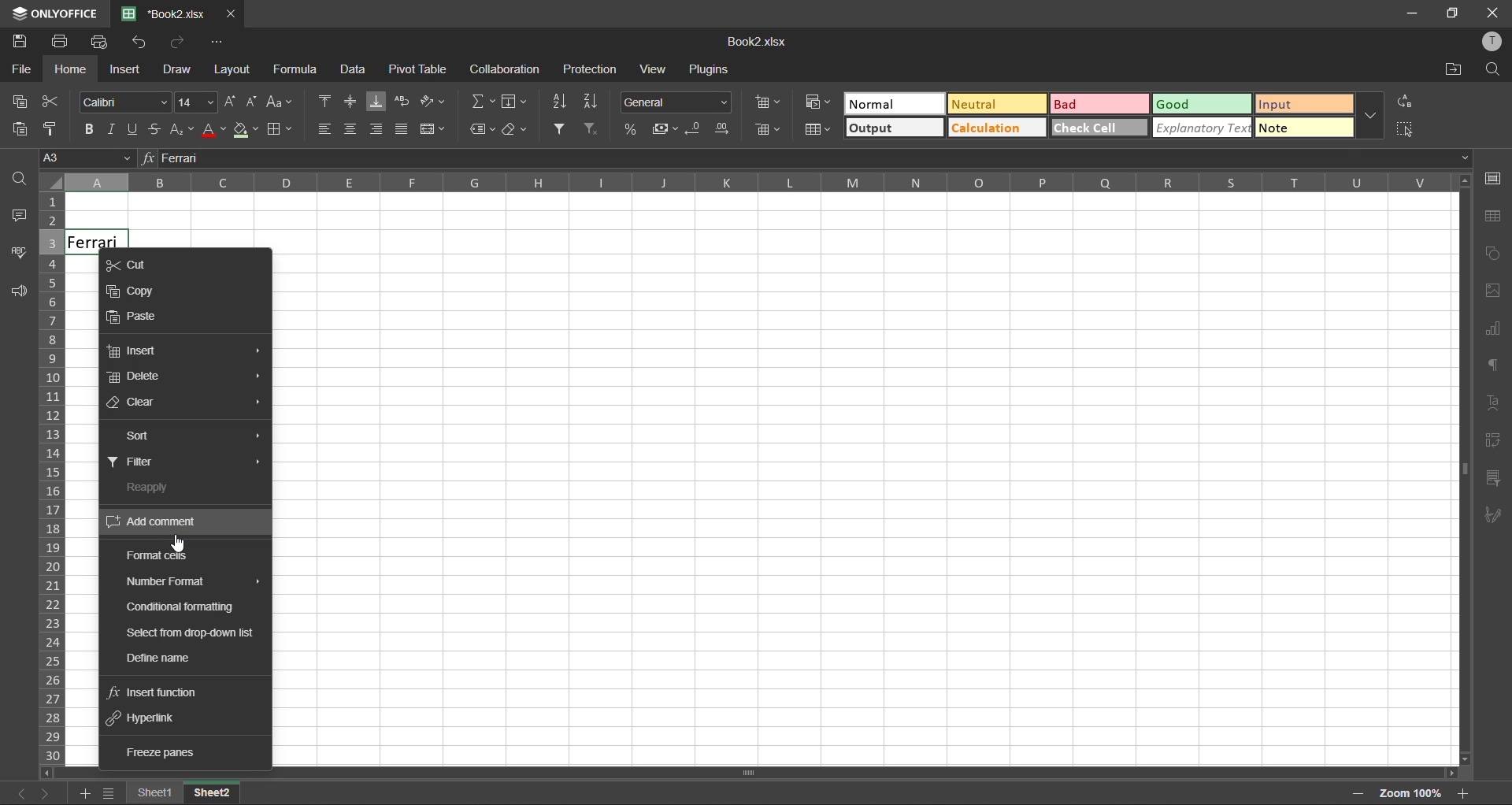 This screenshot has height=805, width=1512. I want to click on zoom in, so click(1466, 792).